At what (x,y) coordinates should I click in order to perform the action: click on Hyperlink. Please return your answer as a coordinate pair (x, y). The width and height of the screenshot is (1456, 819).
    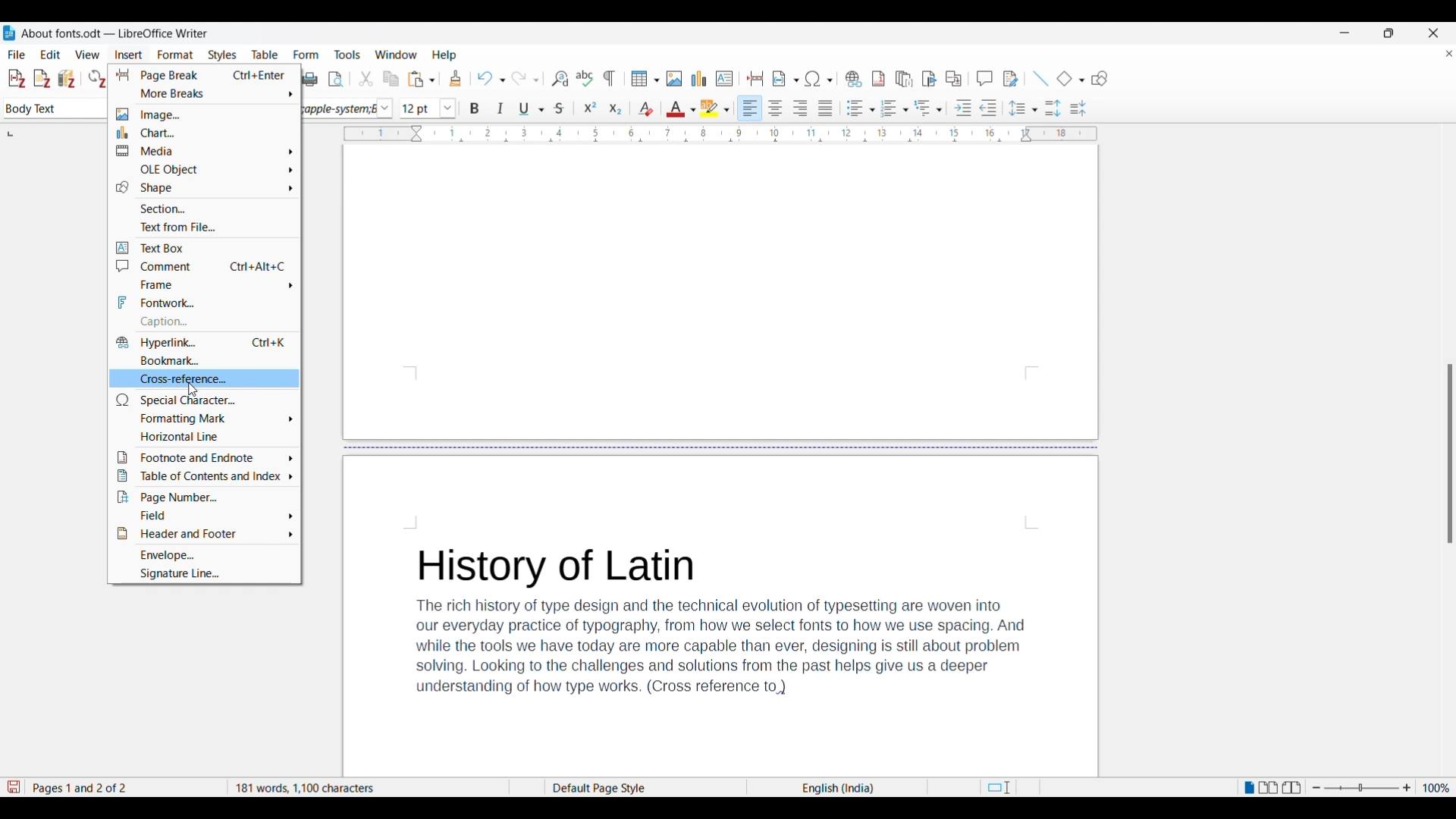
    Looking at the image, I should click on (205, 342).